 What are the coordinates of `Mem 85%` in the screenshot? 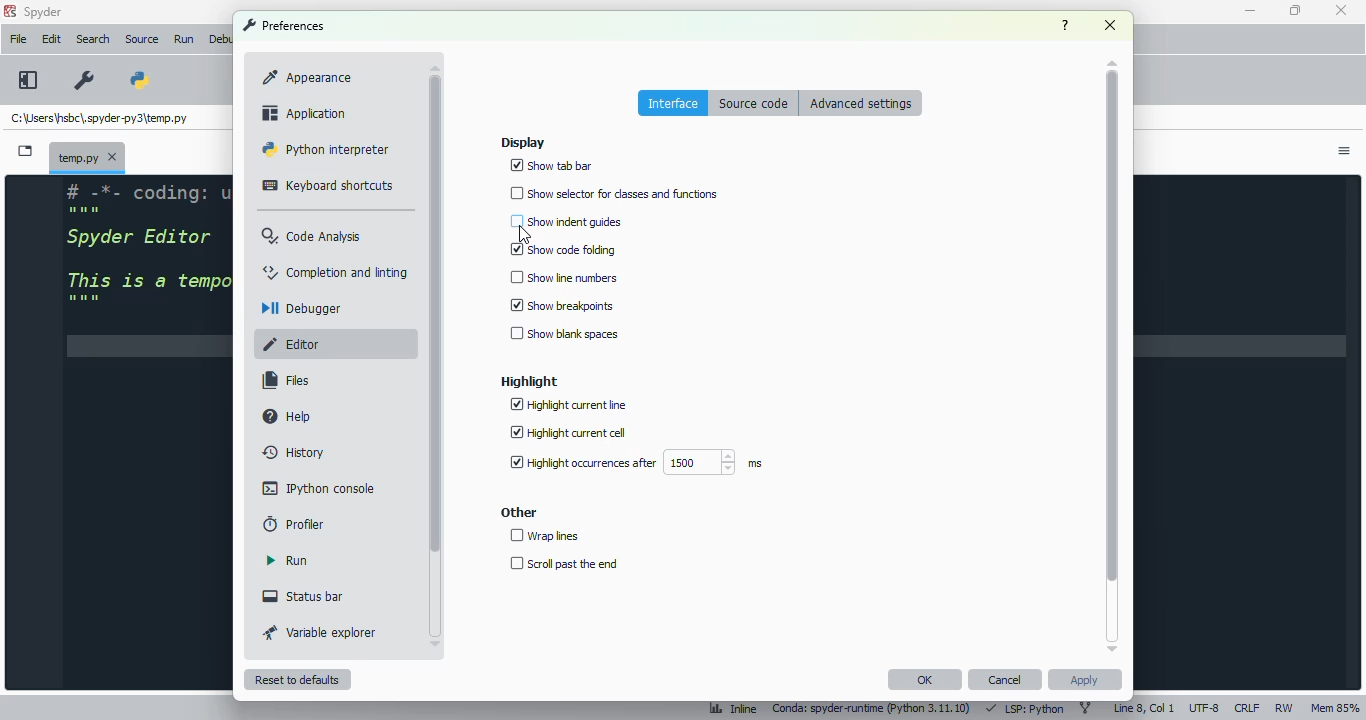 It's located at (1334, 707).